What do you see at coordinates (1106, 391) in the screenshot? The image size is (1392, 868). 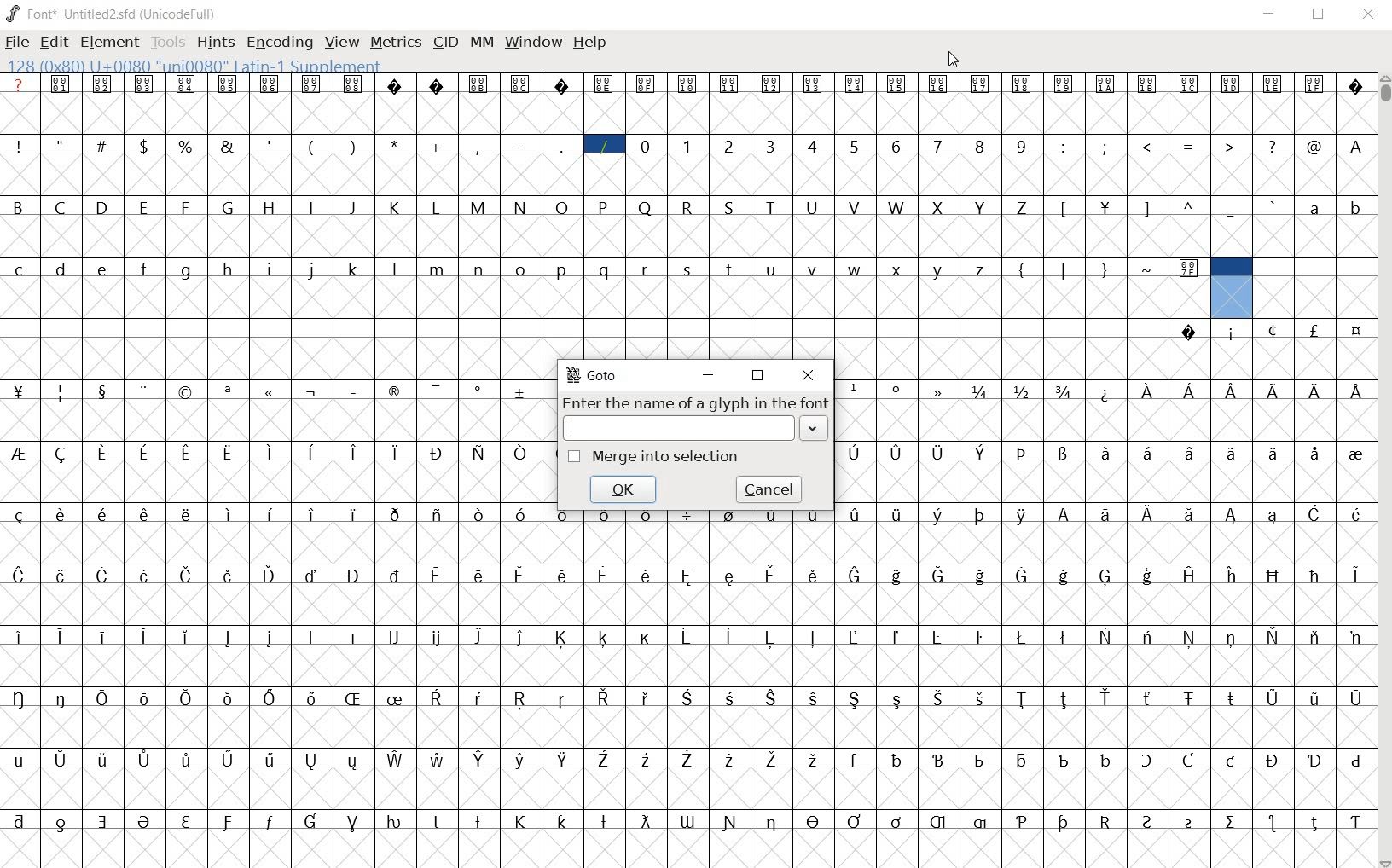 I see `Symbol` at bounding box center [1106, 391].